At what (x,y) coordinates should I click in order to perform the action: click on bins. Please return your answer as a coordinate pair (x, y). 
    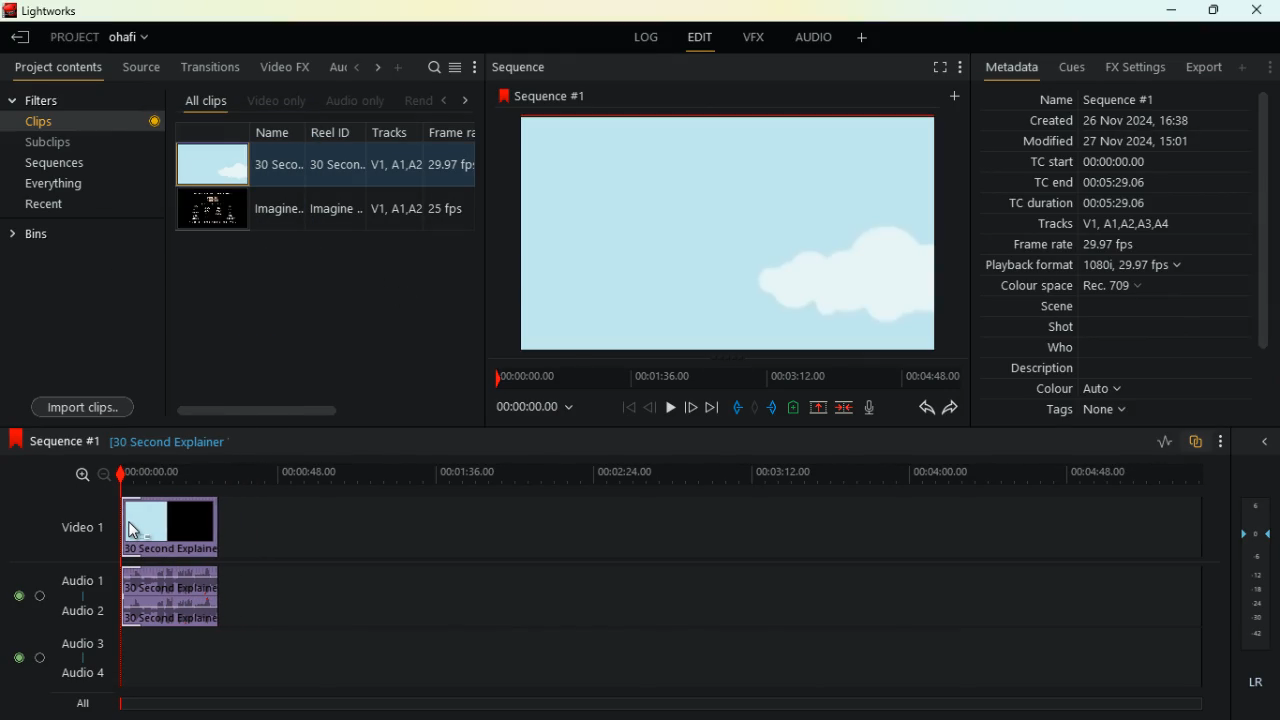
    Looking at the image, I should click on (64, 235).